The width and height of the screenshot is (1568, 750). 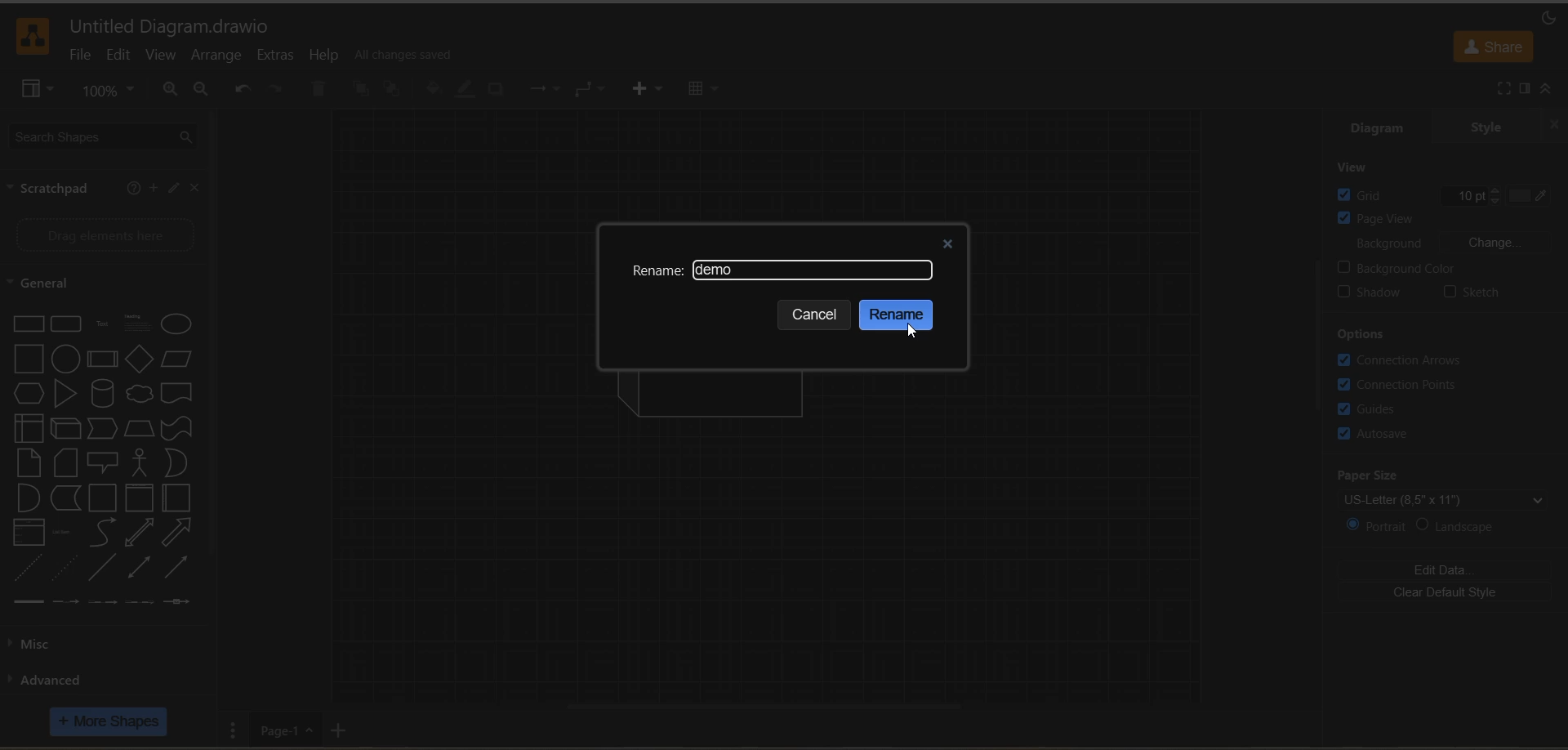 I want to click on redo, so click(x=275, y=90).